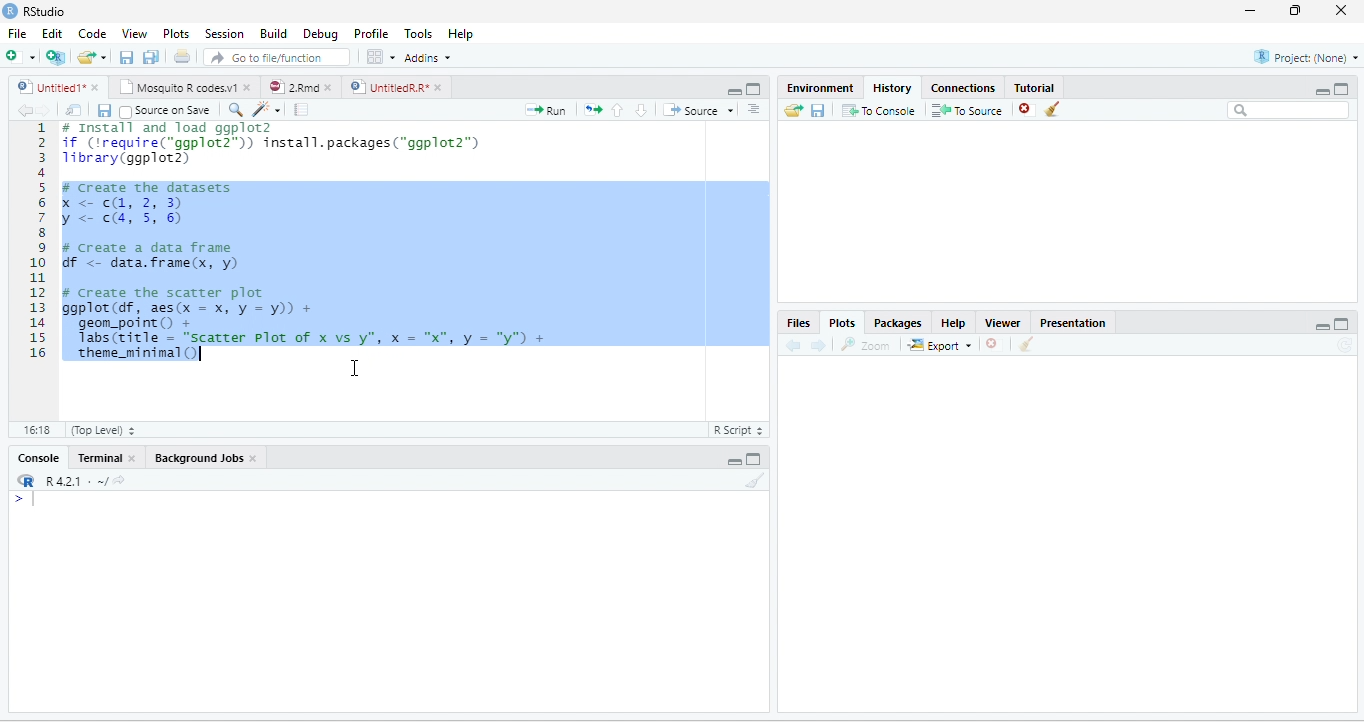 This screenshot has width=1364, height=722. I want to click on Help, so click(462, 33).